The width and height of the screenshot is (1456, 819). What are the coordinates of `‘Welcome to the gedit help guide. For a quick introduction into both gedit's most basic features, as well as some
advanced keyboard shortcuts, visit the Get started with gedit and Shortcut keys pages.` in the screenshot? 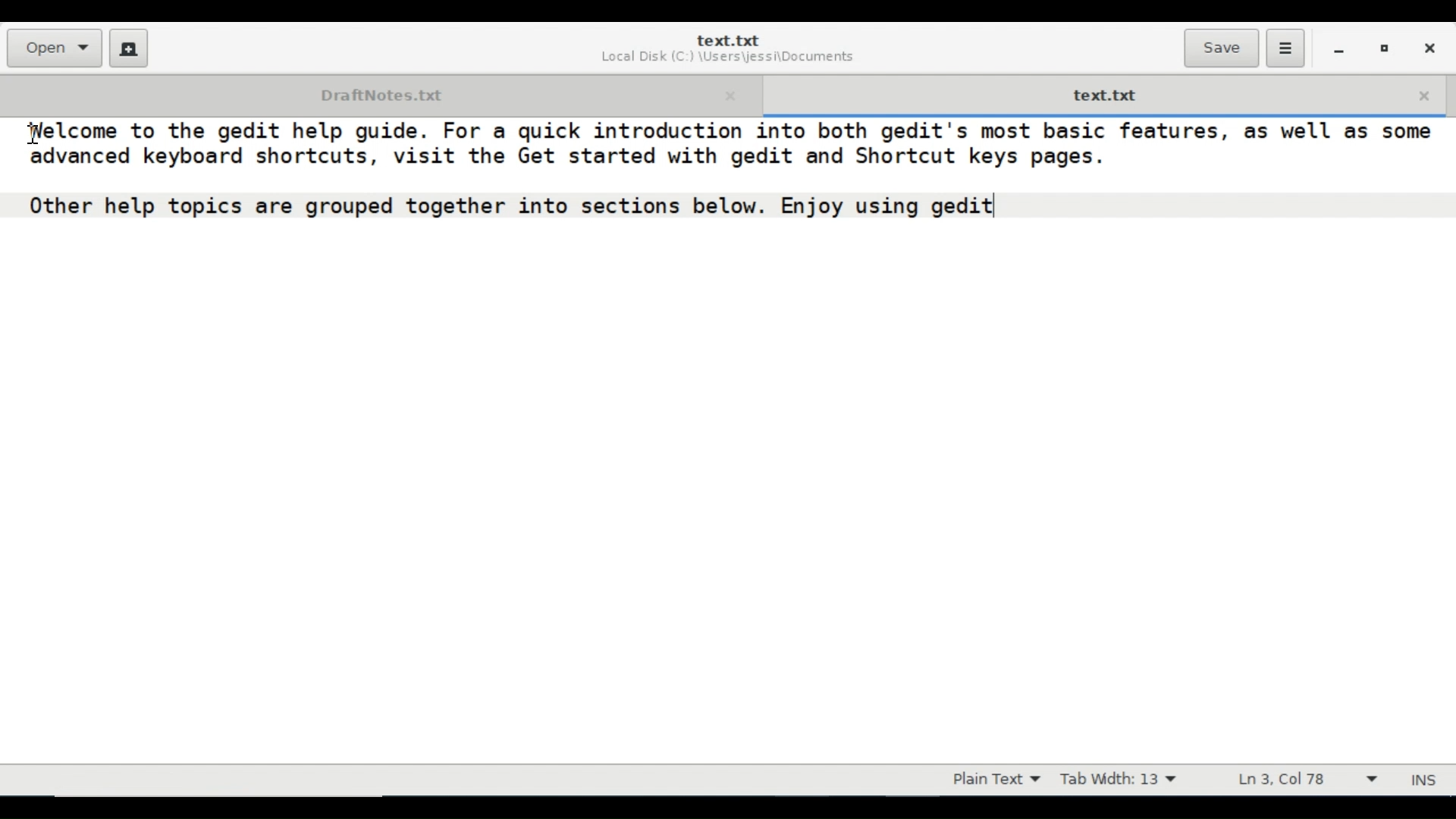 It's located at (726, 147).